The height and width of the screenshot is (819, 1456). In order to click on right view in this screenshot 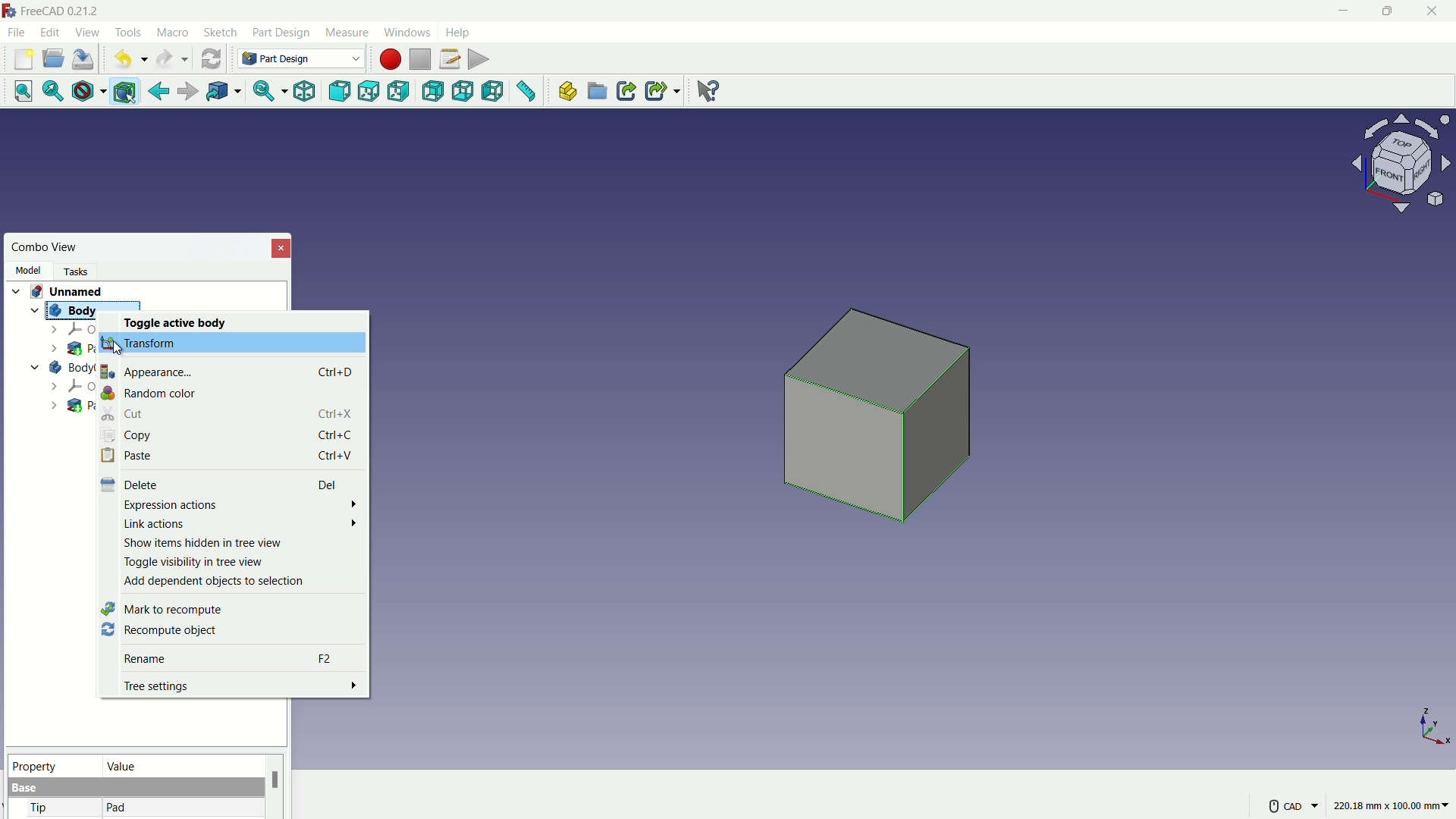, I will do `click(400, 94)`.